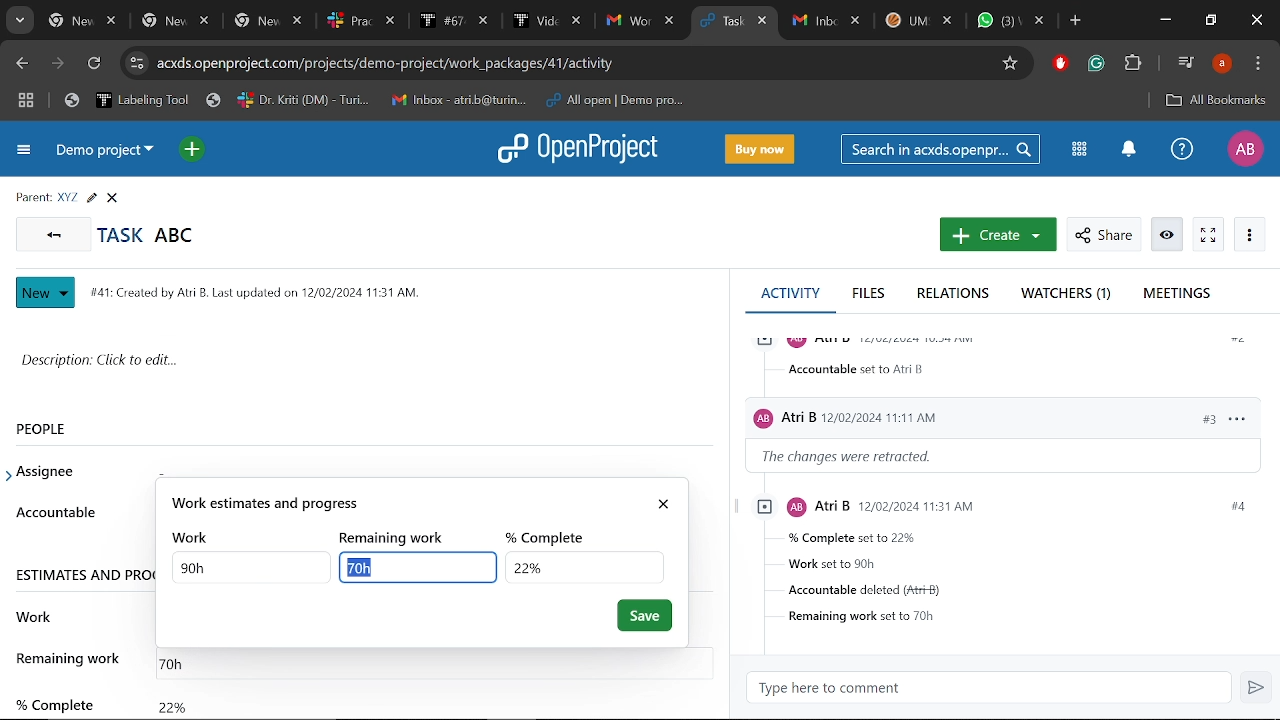 This screenshot has height=720, width=1280. What do you see at coordinates (61, 65) in the screenshot?
I see `Next page` at bounding box center [61, 65].